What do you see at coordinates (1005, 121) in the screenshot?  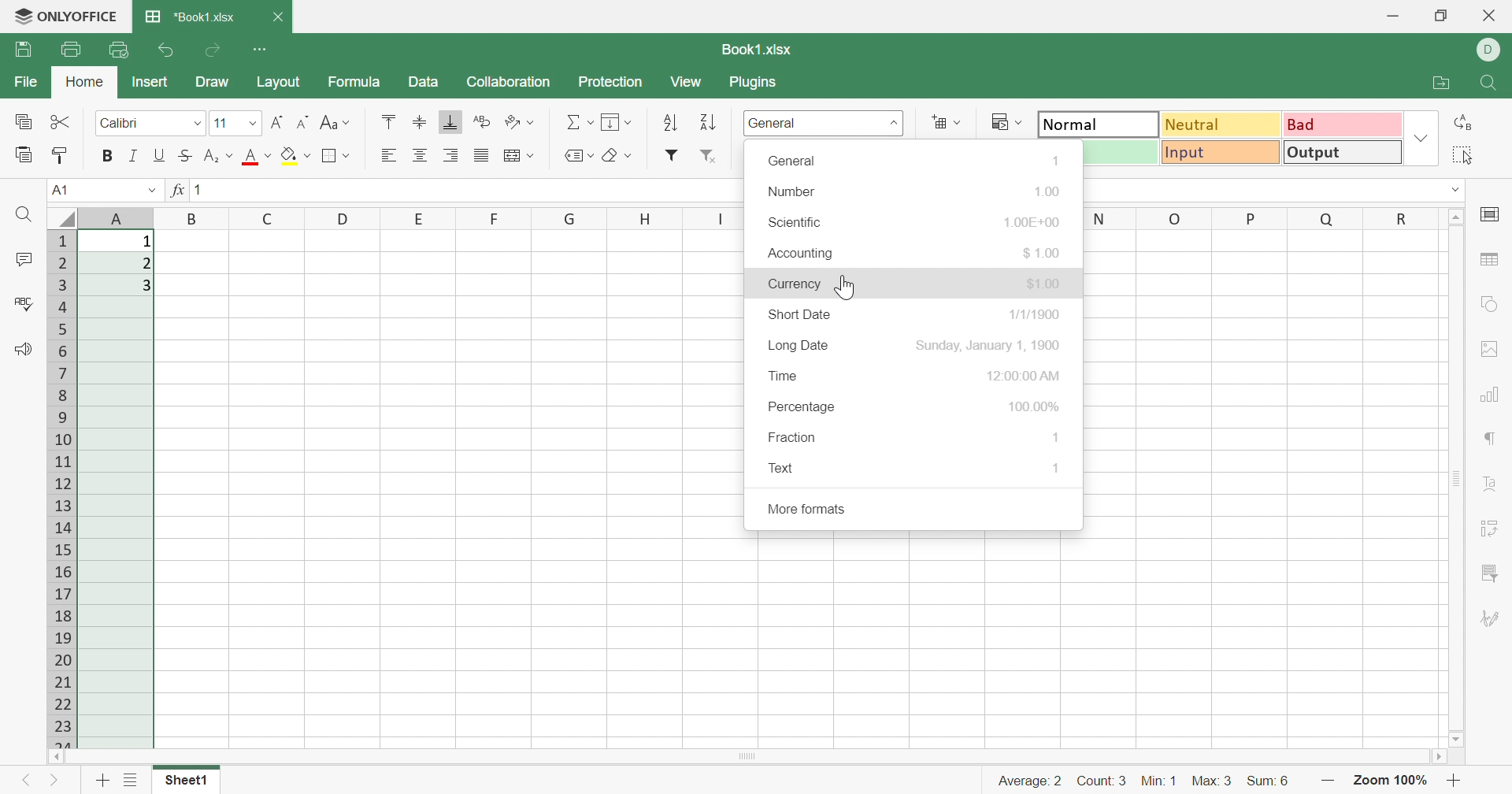 I see `Conditional formatting` at bounding box center [1005, 121].